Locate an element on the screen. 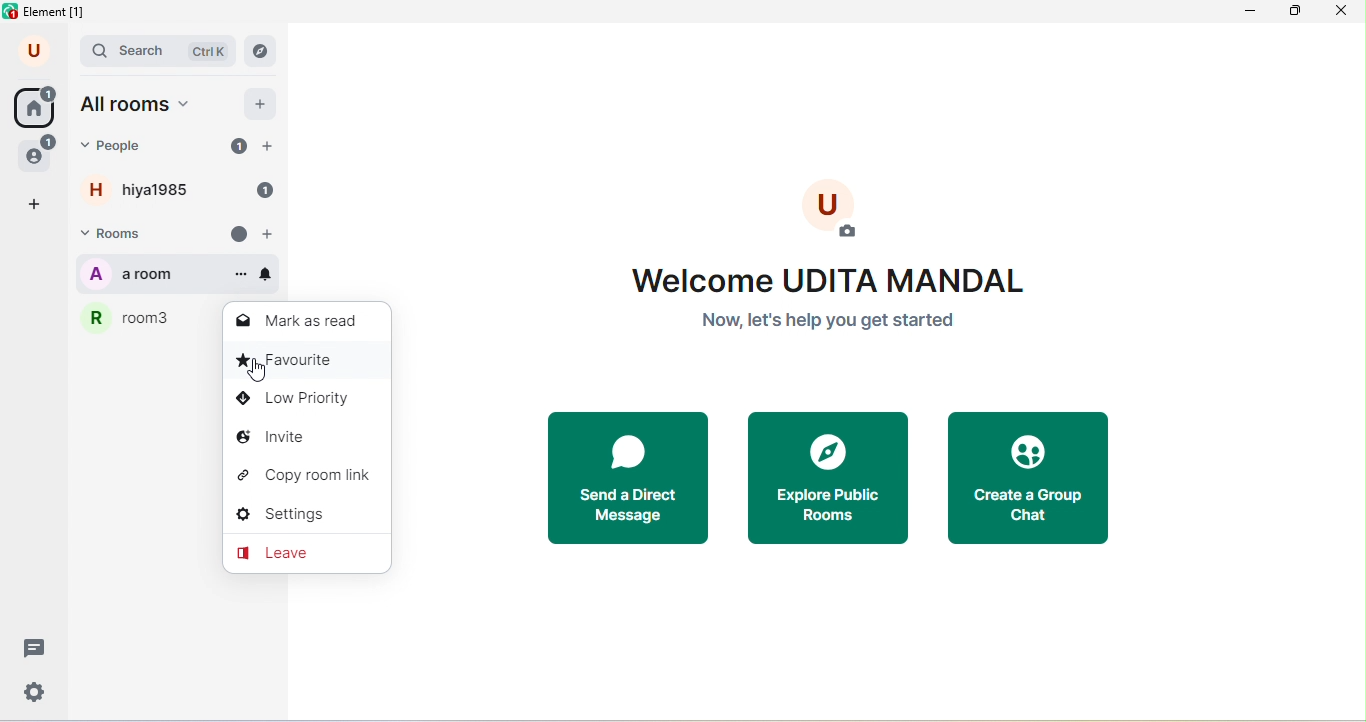  people is located at coordinates (120, 146).